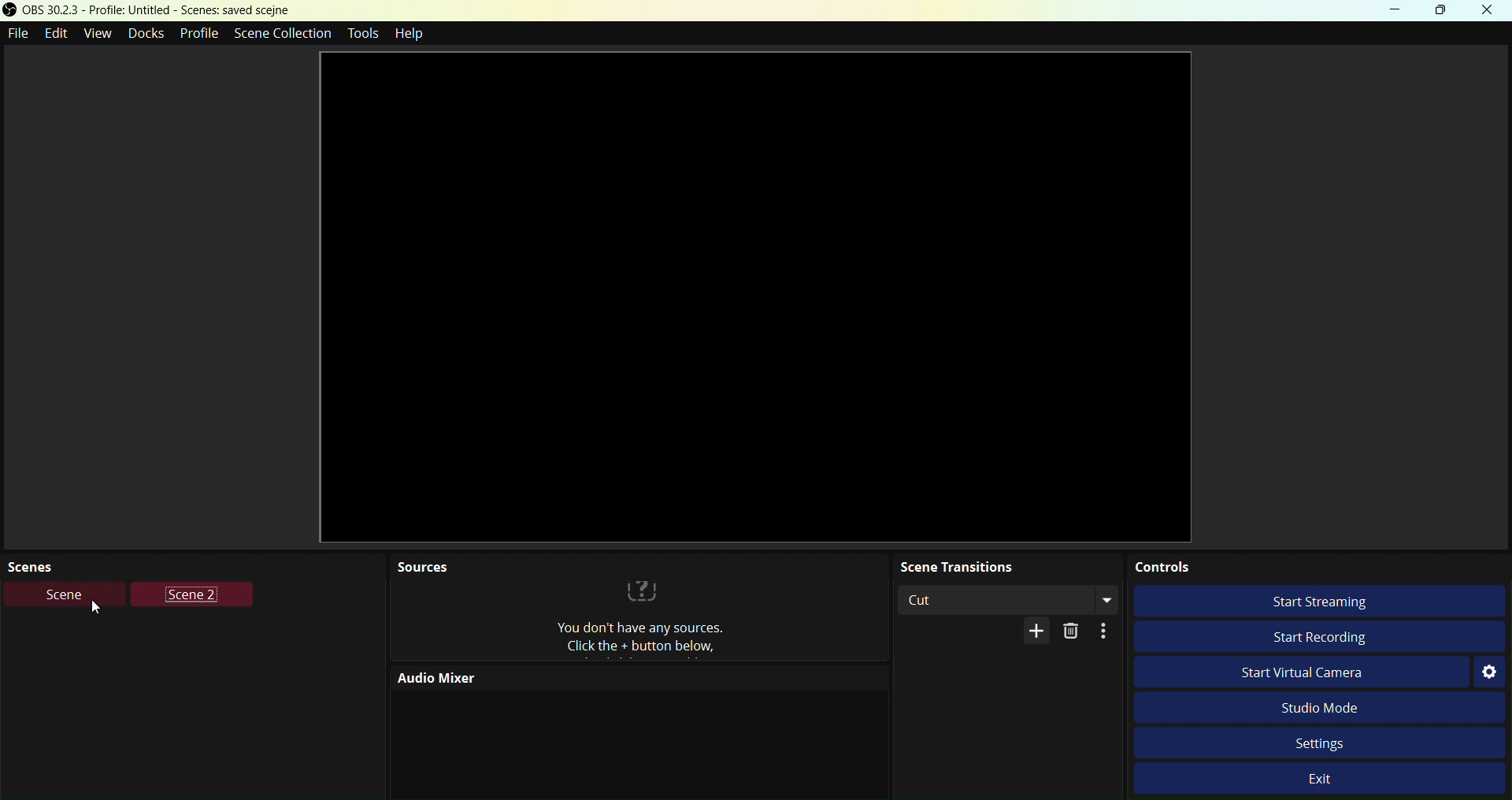 The height and width of the screenshot is (800, 1512). Describe the element at coordinates (1103, 631) in the screenshot. I see `Options` at that location.